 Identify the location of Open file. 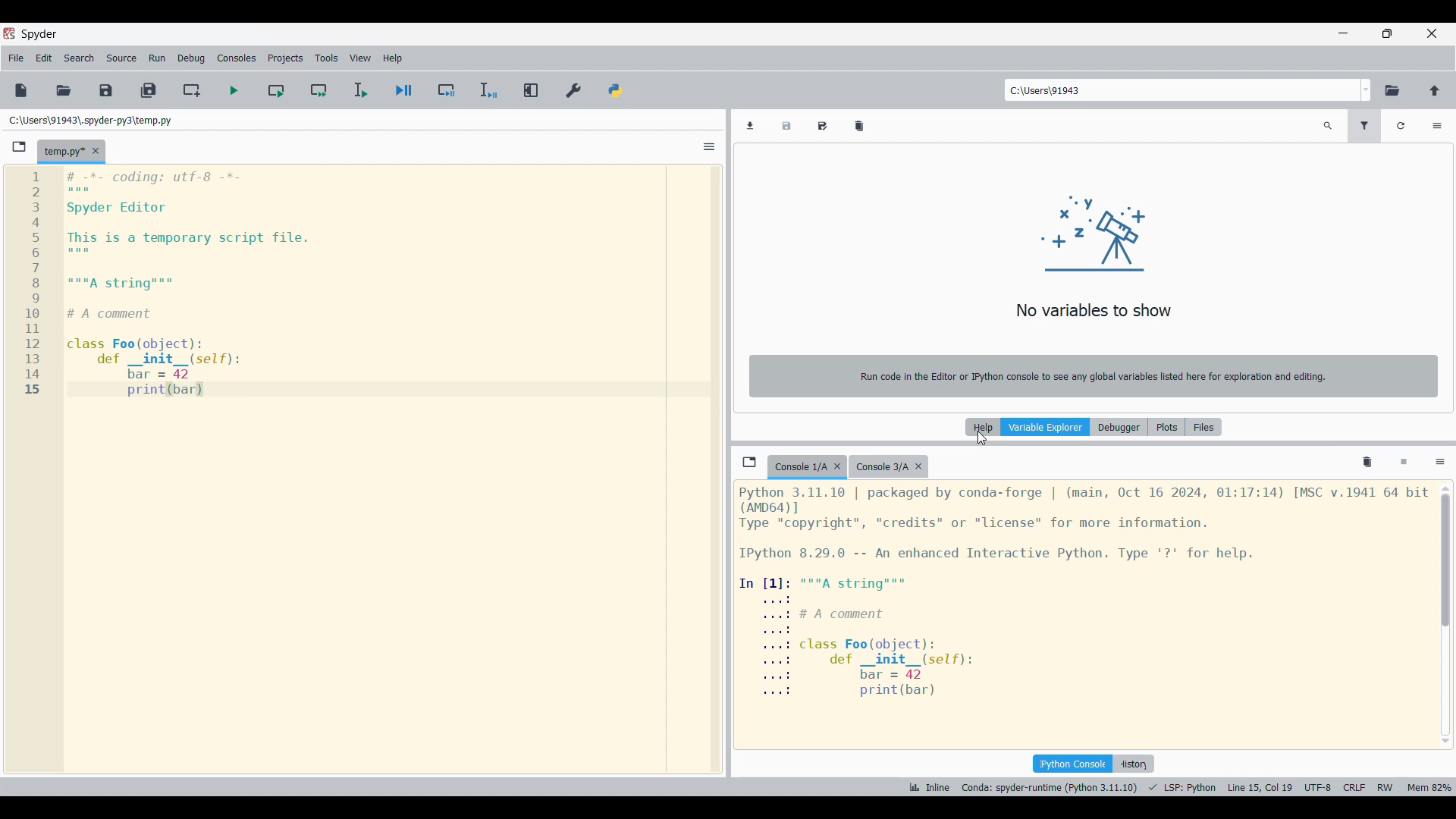
(63, 90).